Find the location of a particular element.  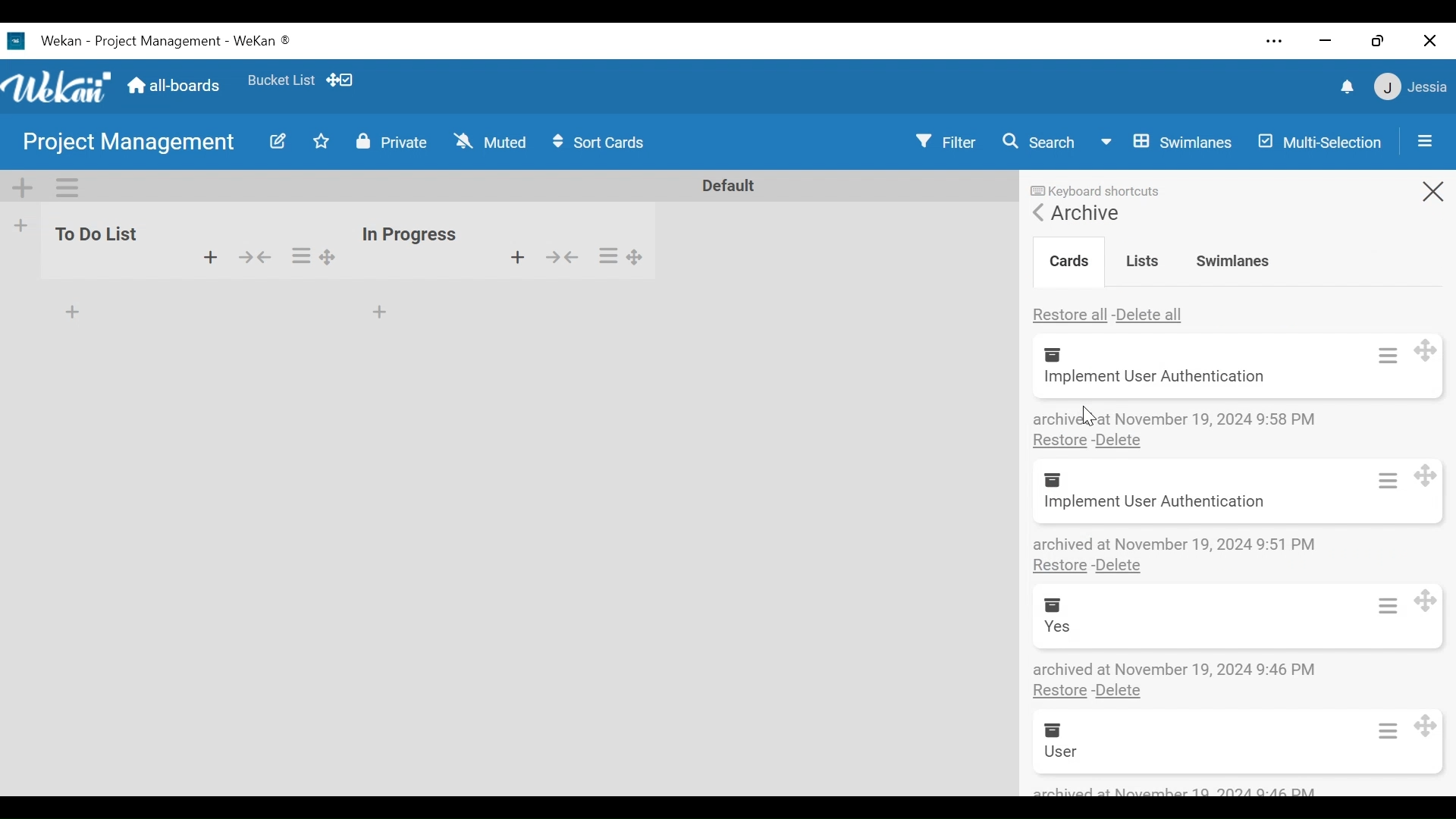

Delete all is located at coordinates (1153, 316).